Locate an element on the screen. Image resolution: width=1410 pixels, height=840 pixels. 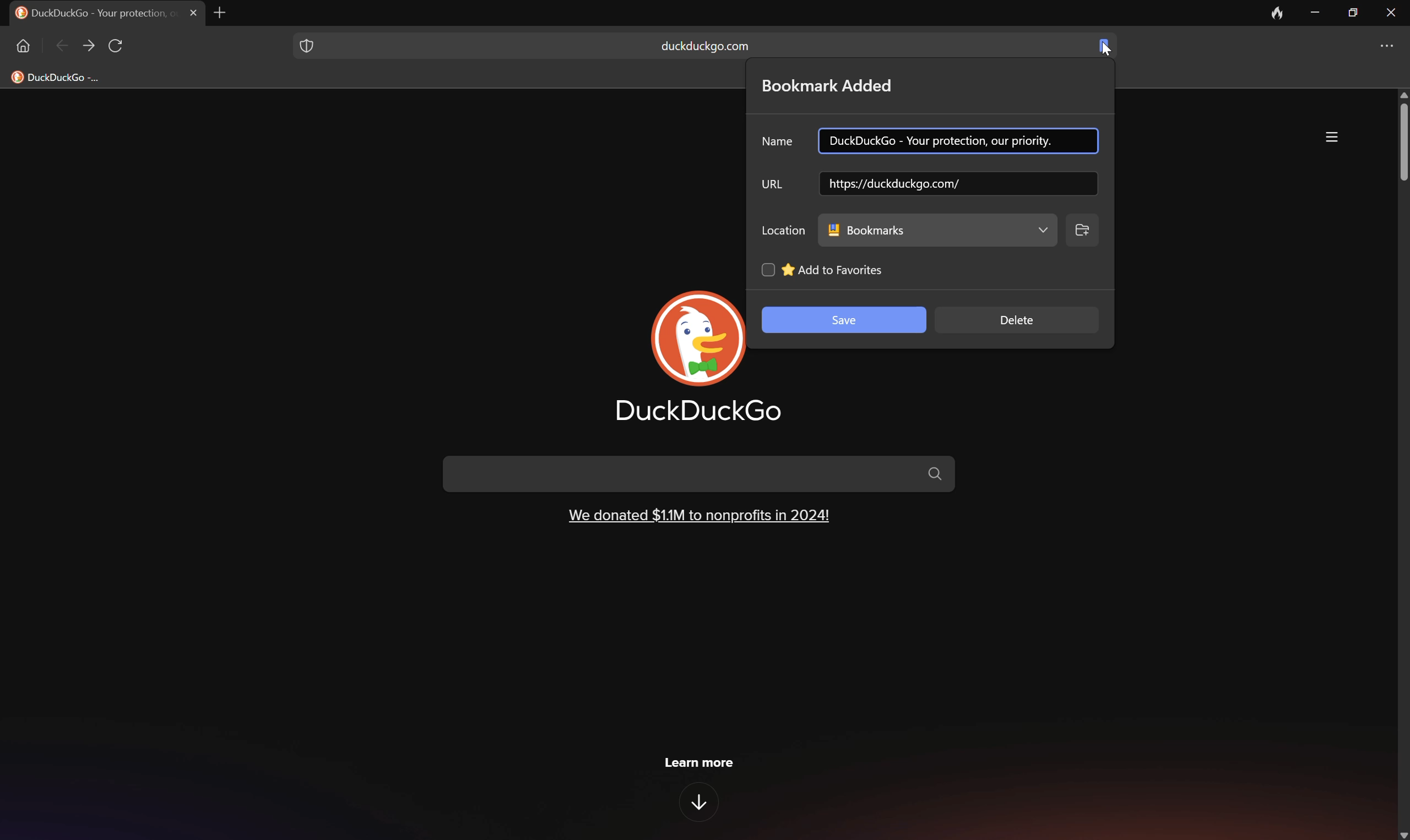
We donated $1.1M to nonprofits in 2024! is located at coordinates (699, 514).